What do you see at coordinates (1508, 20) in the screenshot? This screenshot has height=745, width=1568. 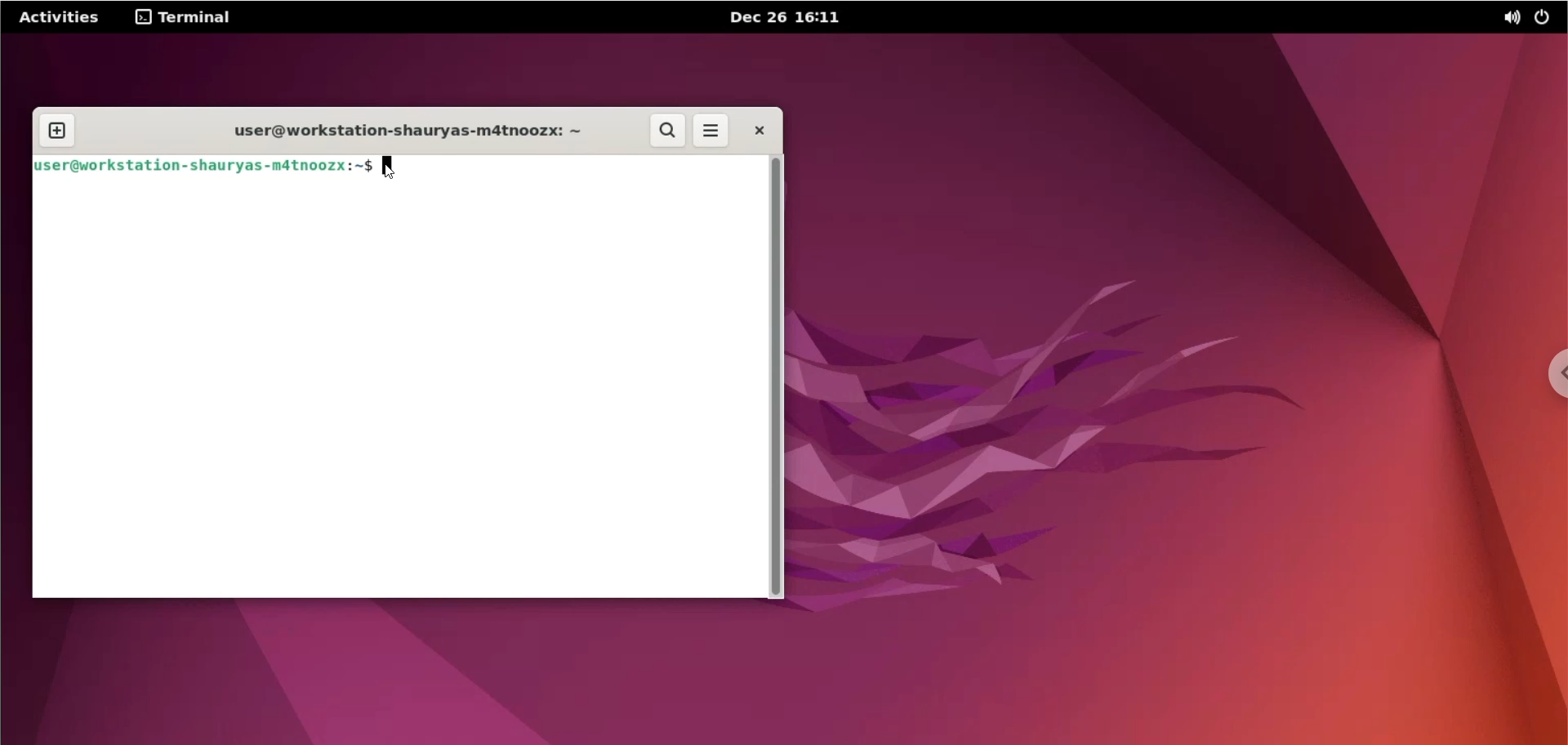 I see `sound options` at bounding box center [1508, 20].